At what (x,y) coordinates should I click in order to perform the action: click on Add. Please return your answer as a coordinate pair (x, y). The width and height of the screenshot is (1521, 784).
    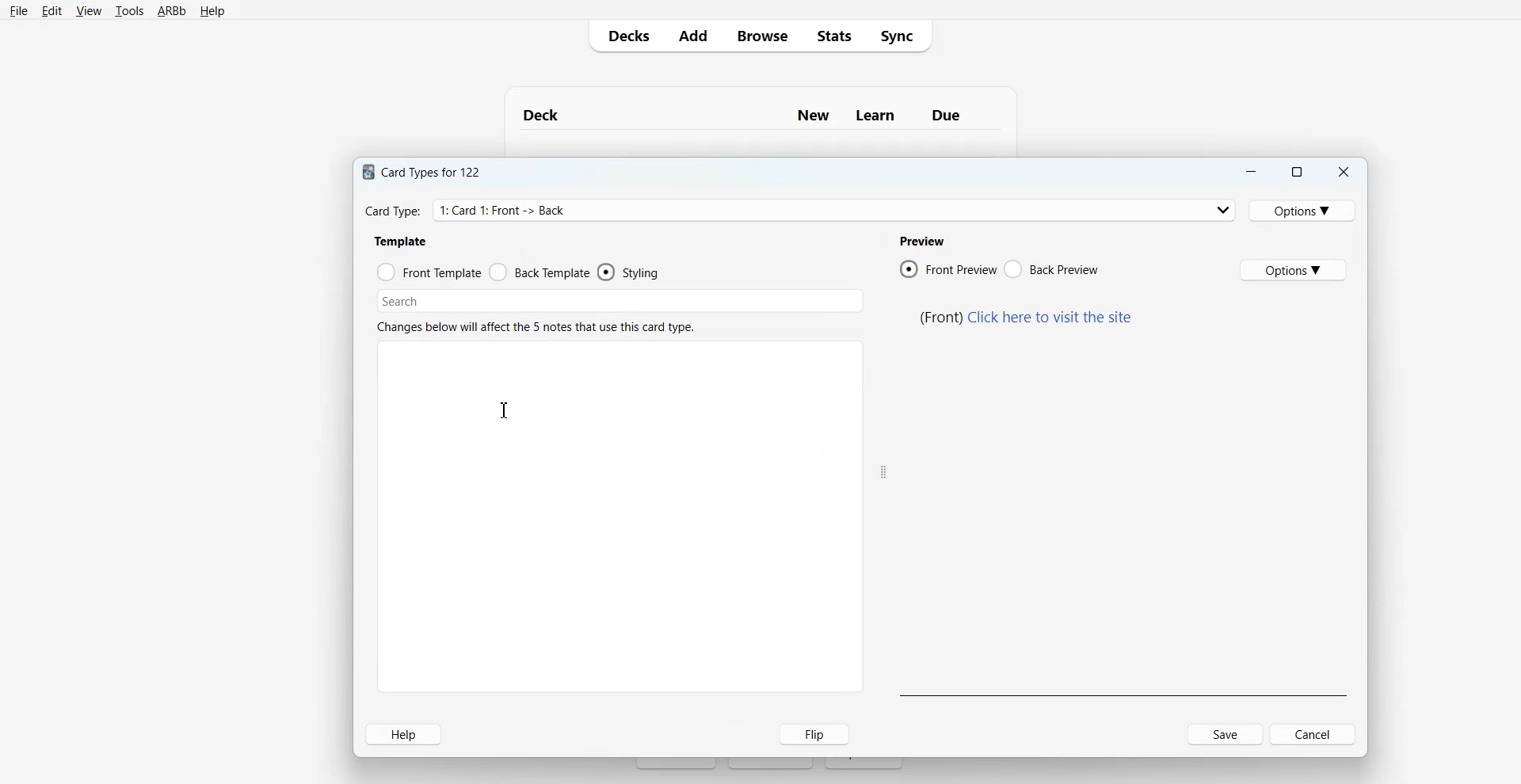
    Looking at the image, I should click on (692, 35).